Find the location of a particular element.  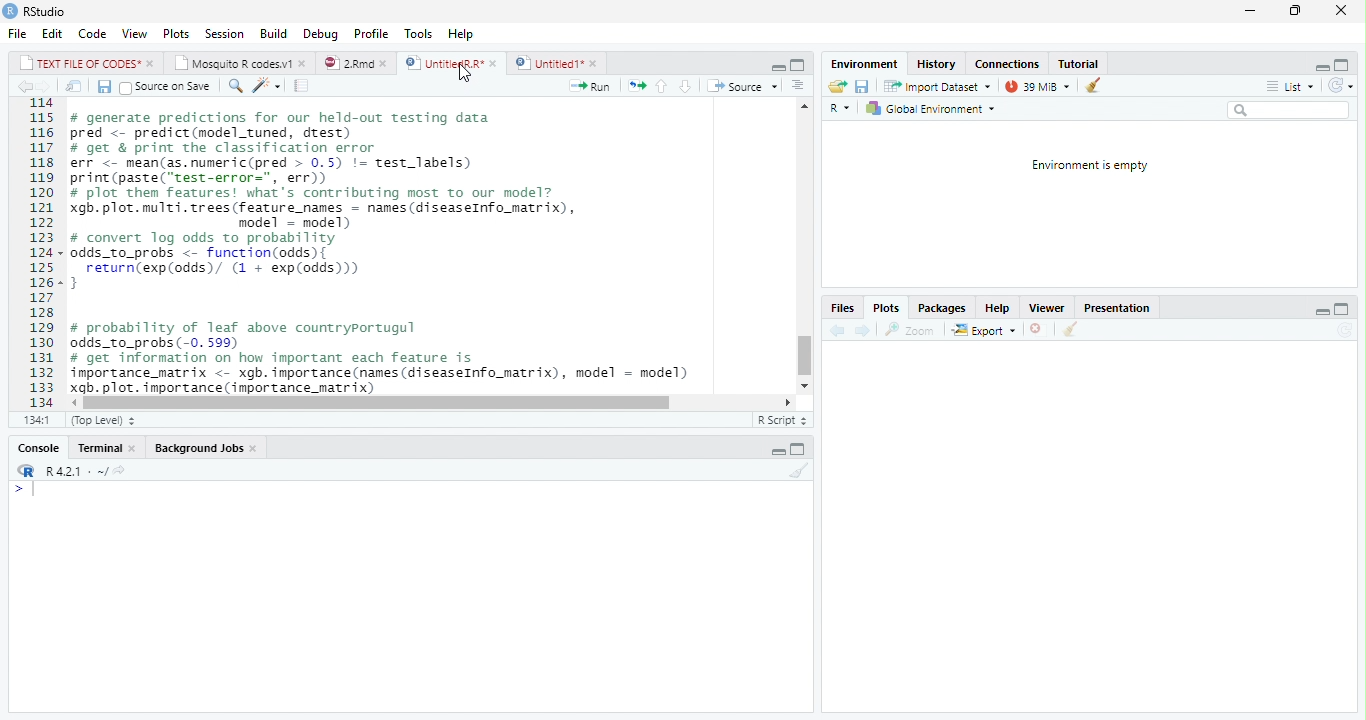

Next is located at coordinates (862, 331).